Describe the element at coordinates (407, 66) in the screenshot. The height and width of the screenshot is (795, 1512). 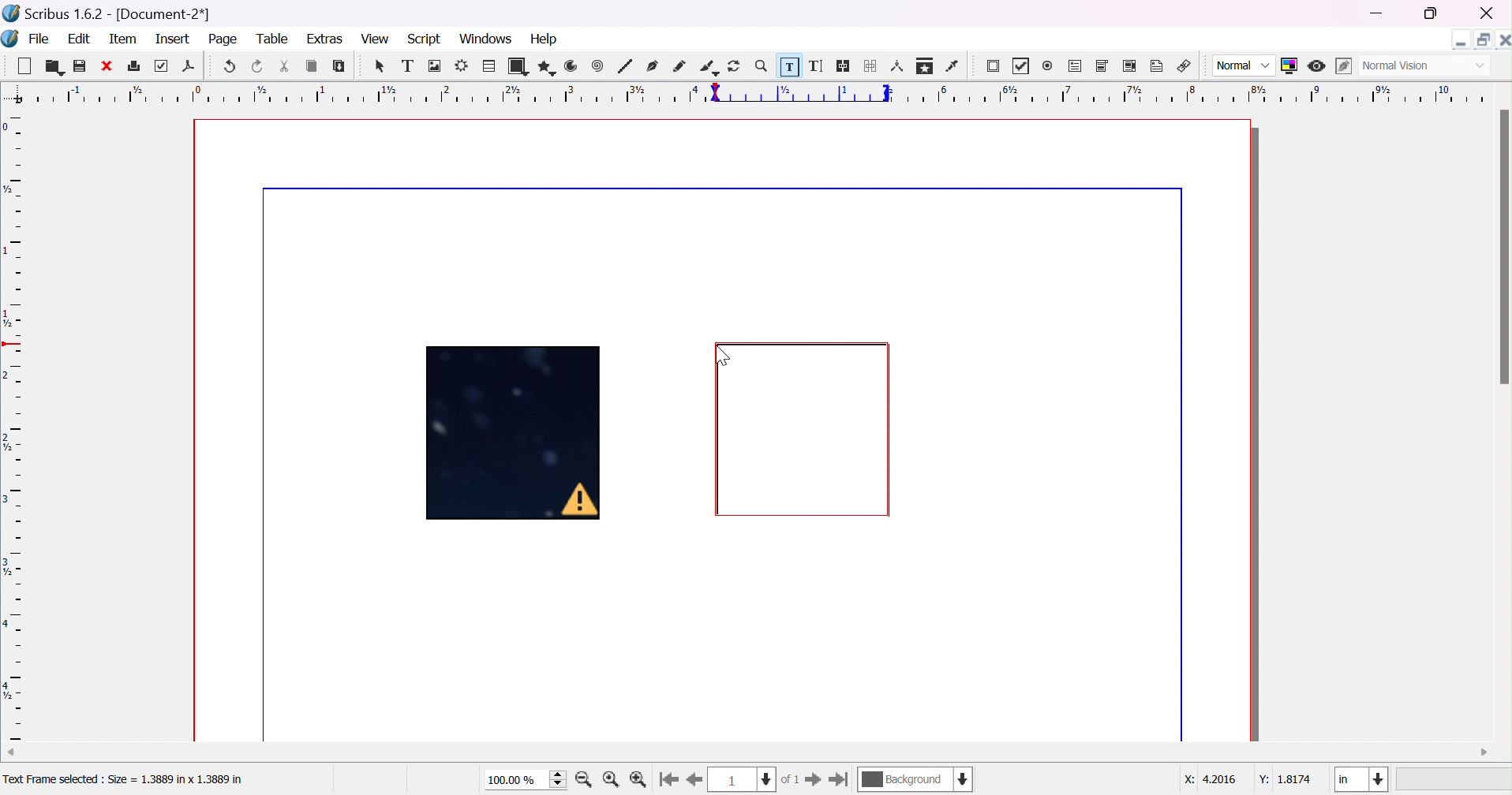
I see `text frame` at that location.